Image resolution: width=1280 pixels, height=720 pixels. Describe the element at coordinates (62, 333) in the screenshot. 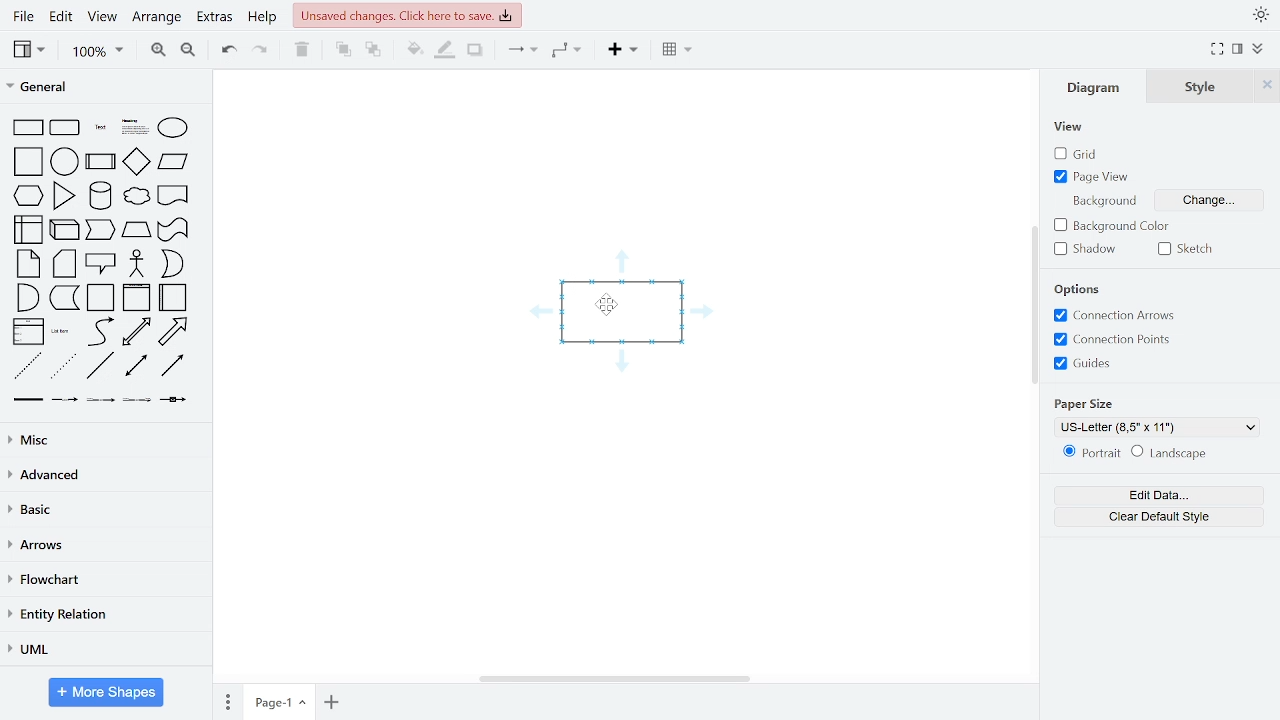

I see `list item` at that location.